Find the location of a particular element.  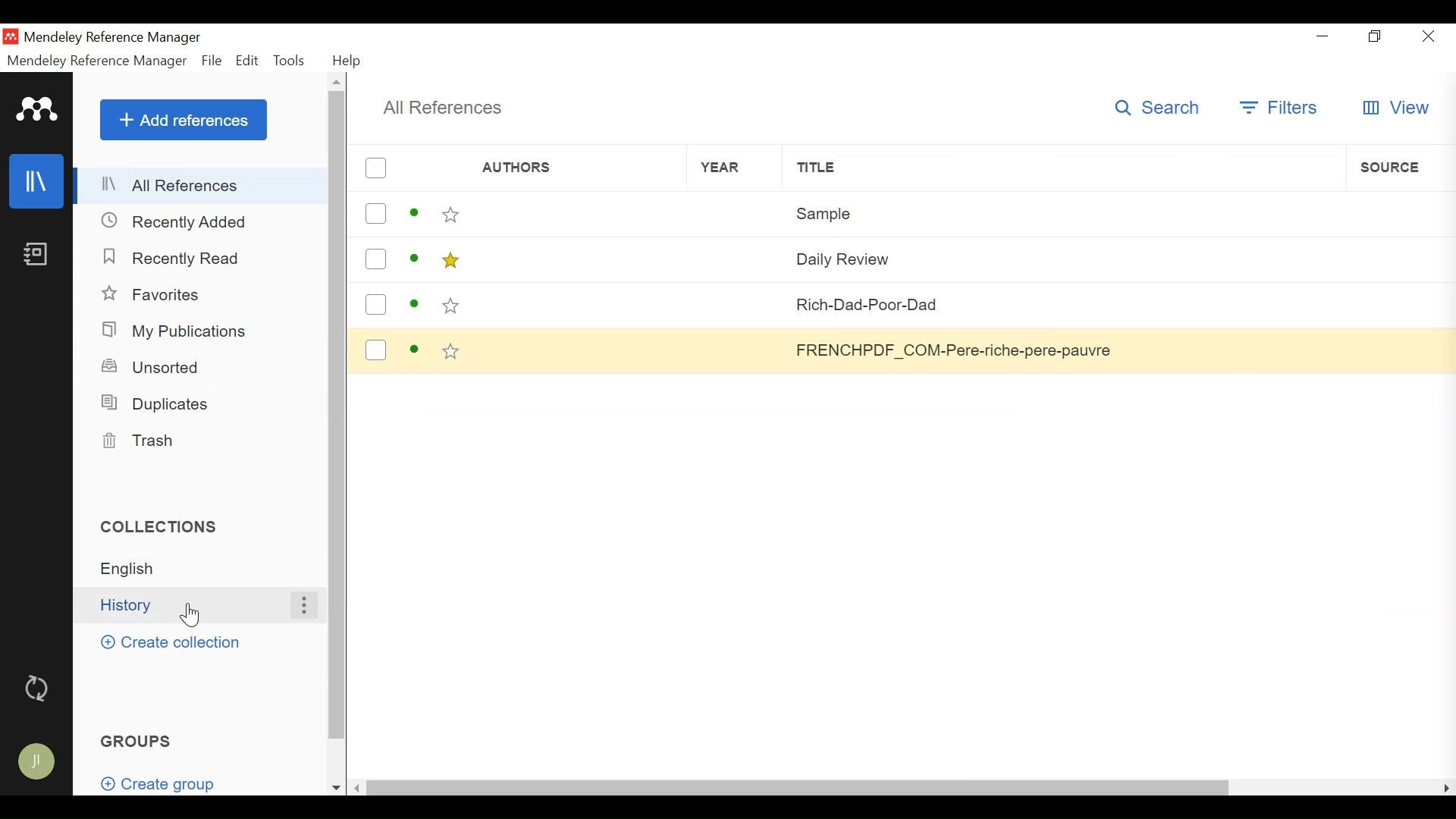

Source is located at coordinates (1396, 305).